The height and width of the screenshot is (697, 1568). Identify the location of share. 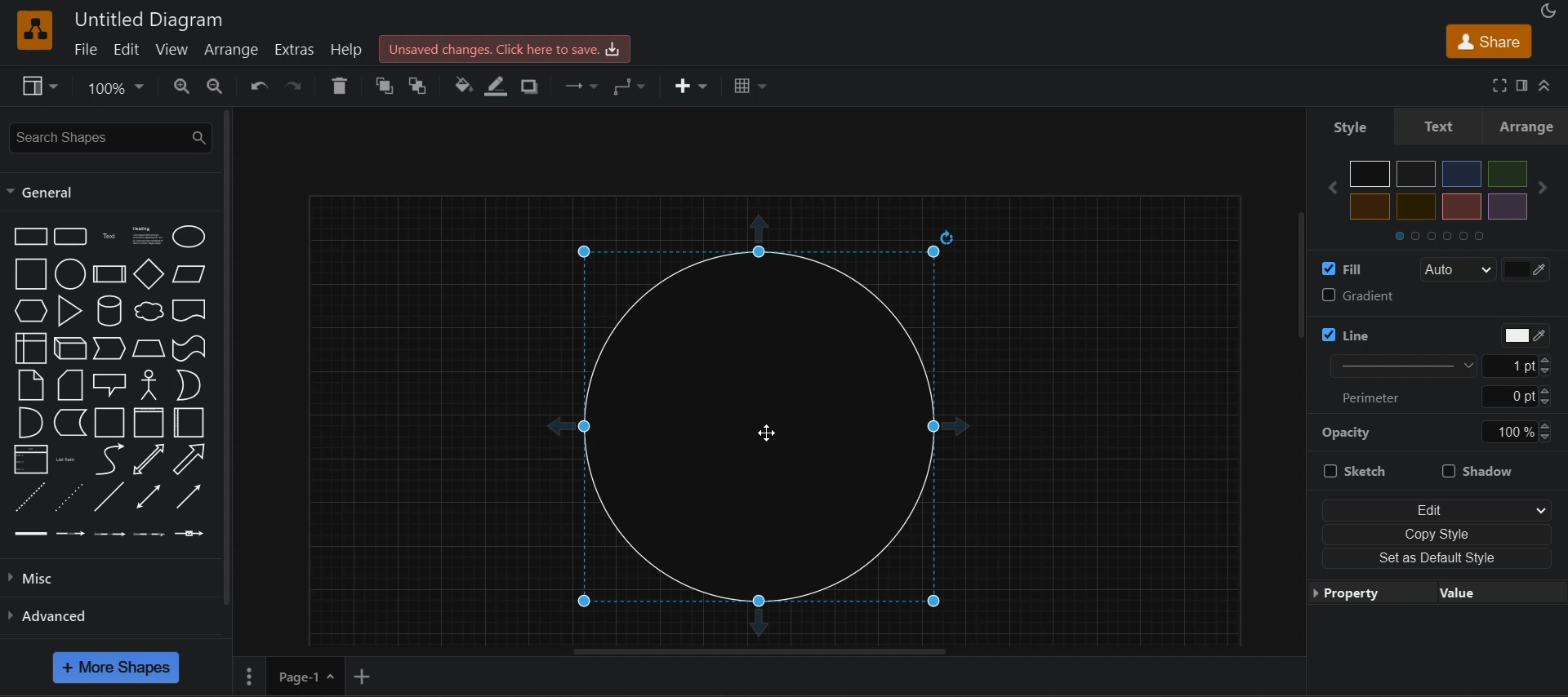
(1490, 44).